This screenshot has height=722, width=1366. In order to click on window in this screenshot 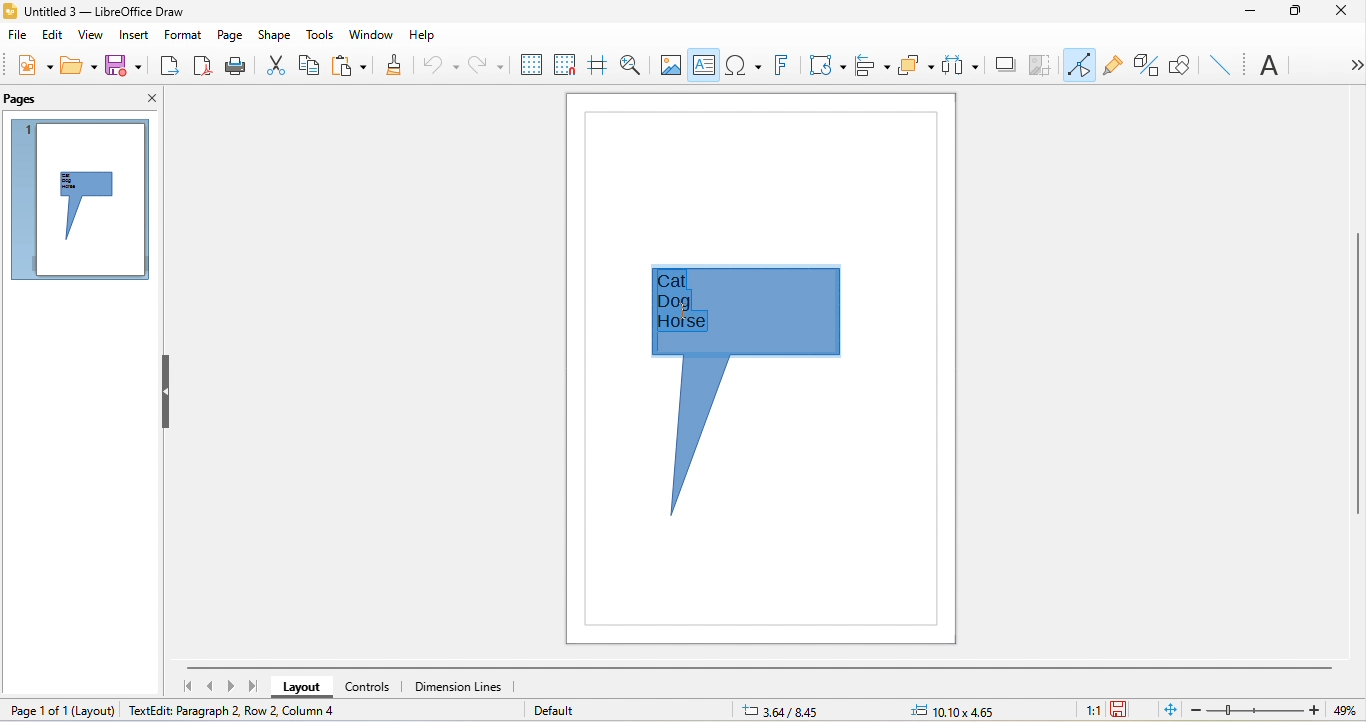, I will do `click(375, 34)`.